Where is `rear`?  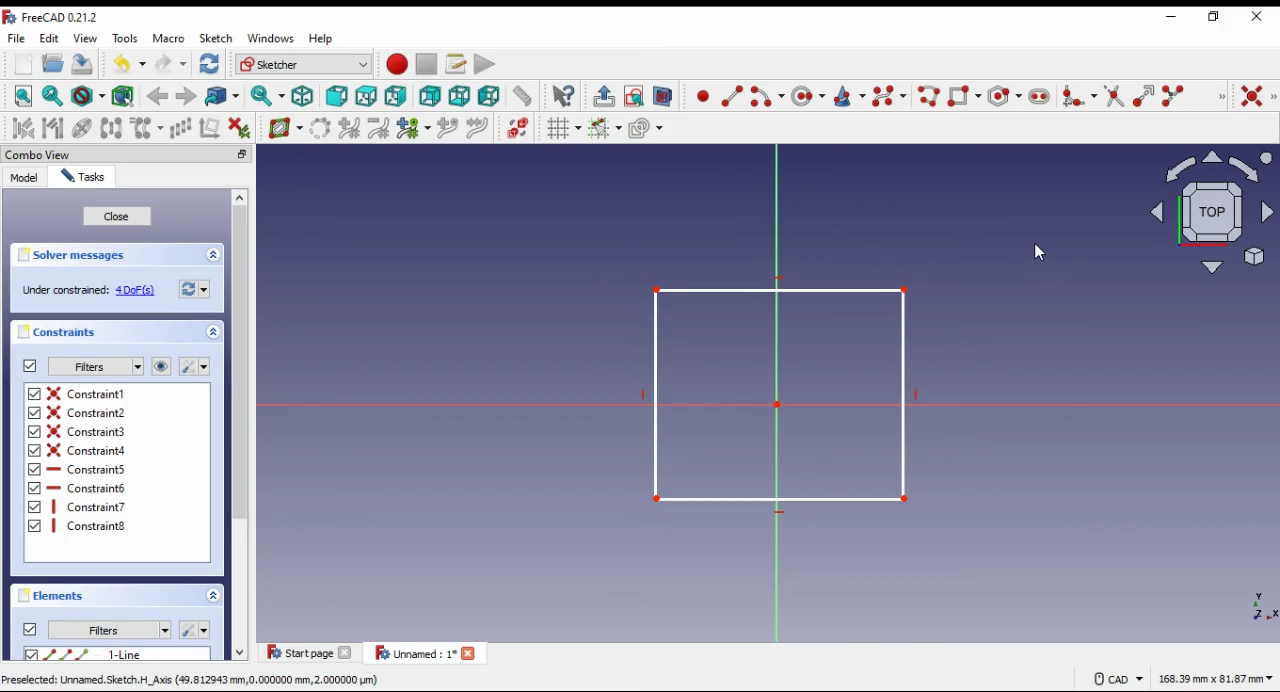 rear is located at coordinates (431, 96).